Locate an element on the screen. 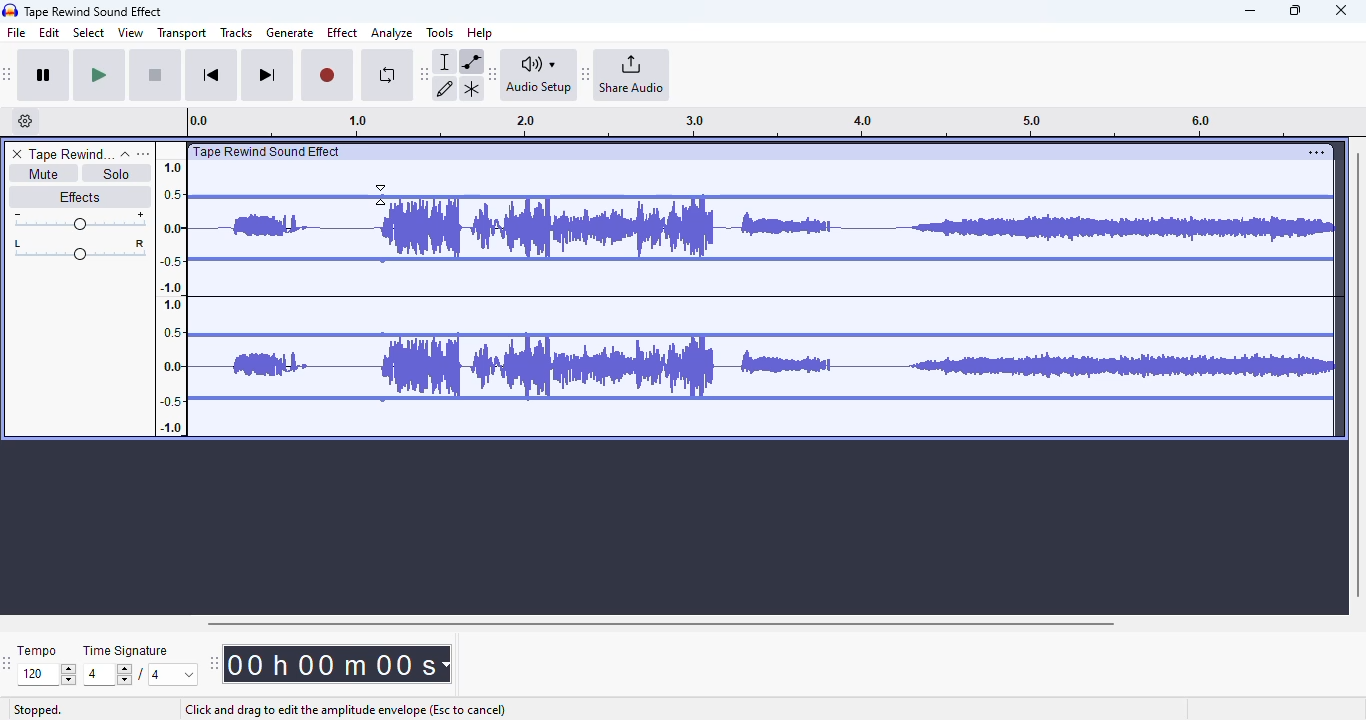  stopped is located at coordinates (38, 711).